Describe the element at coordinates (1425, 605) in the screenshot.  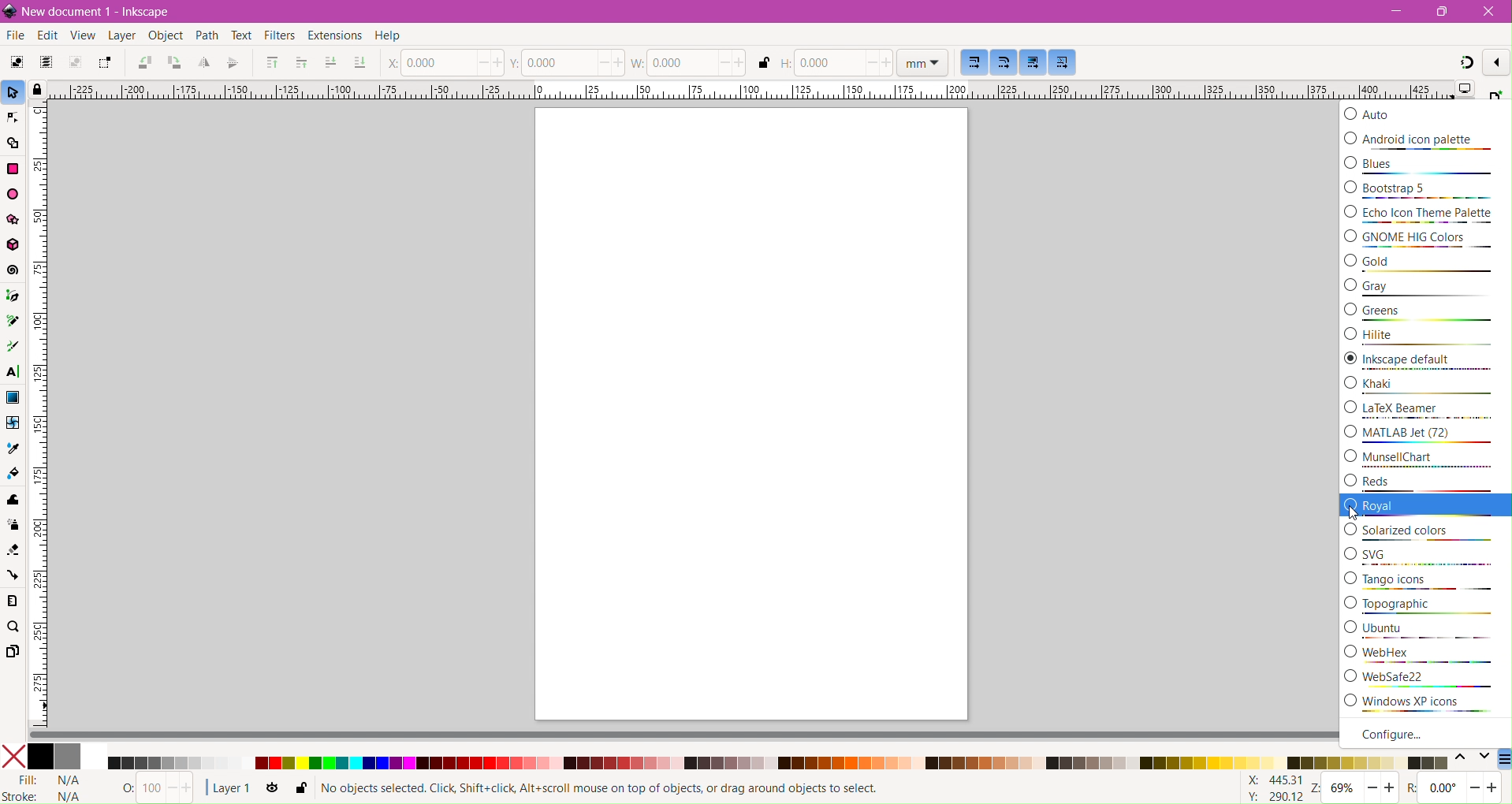
I see `Topographic` at that location.